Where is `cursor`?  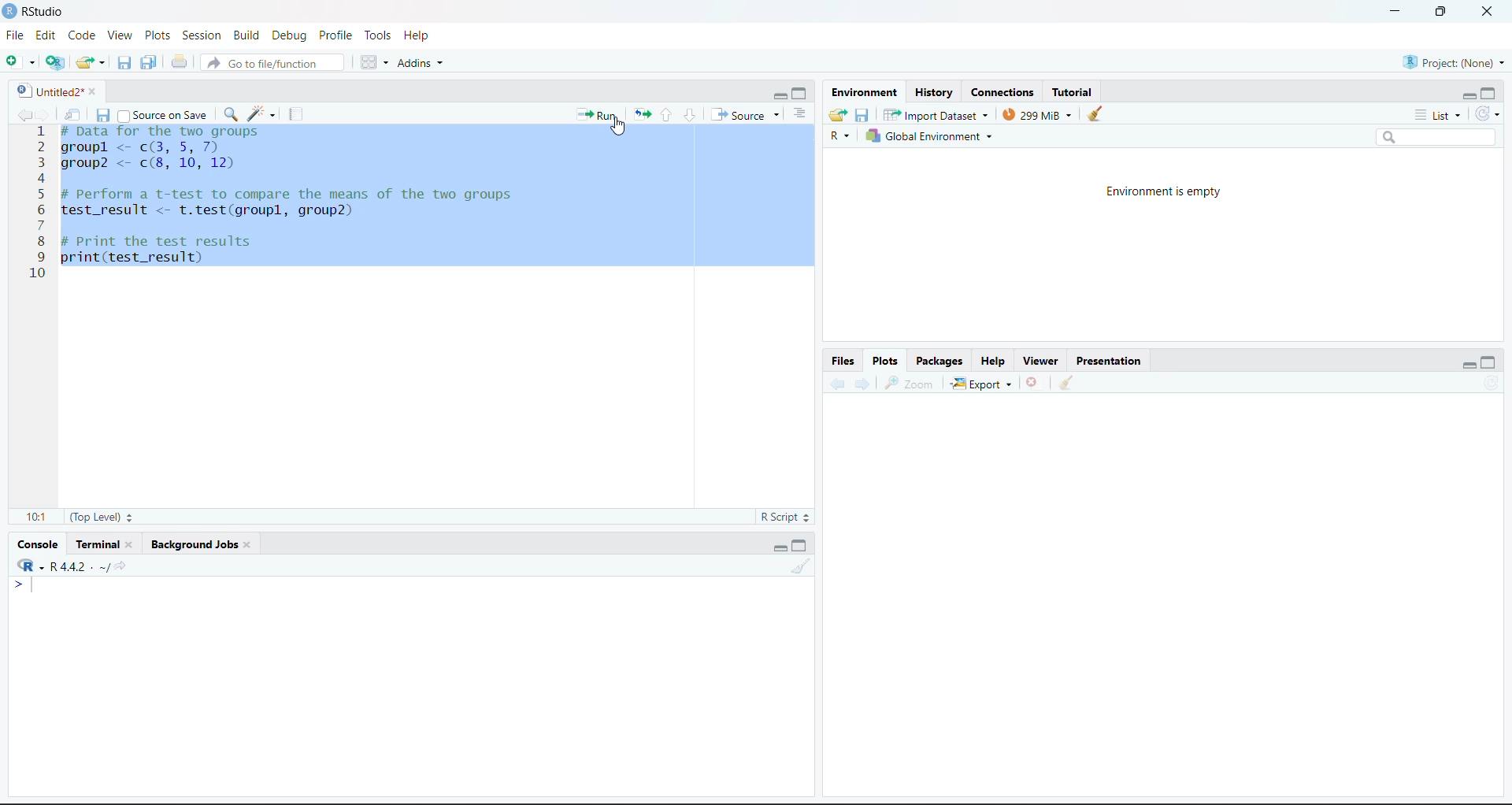 cursor is located at coordinates (621, 126).